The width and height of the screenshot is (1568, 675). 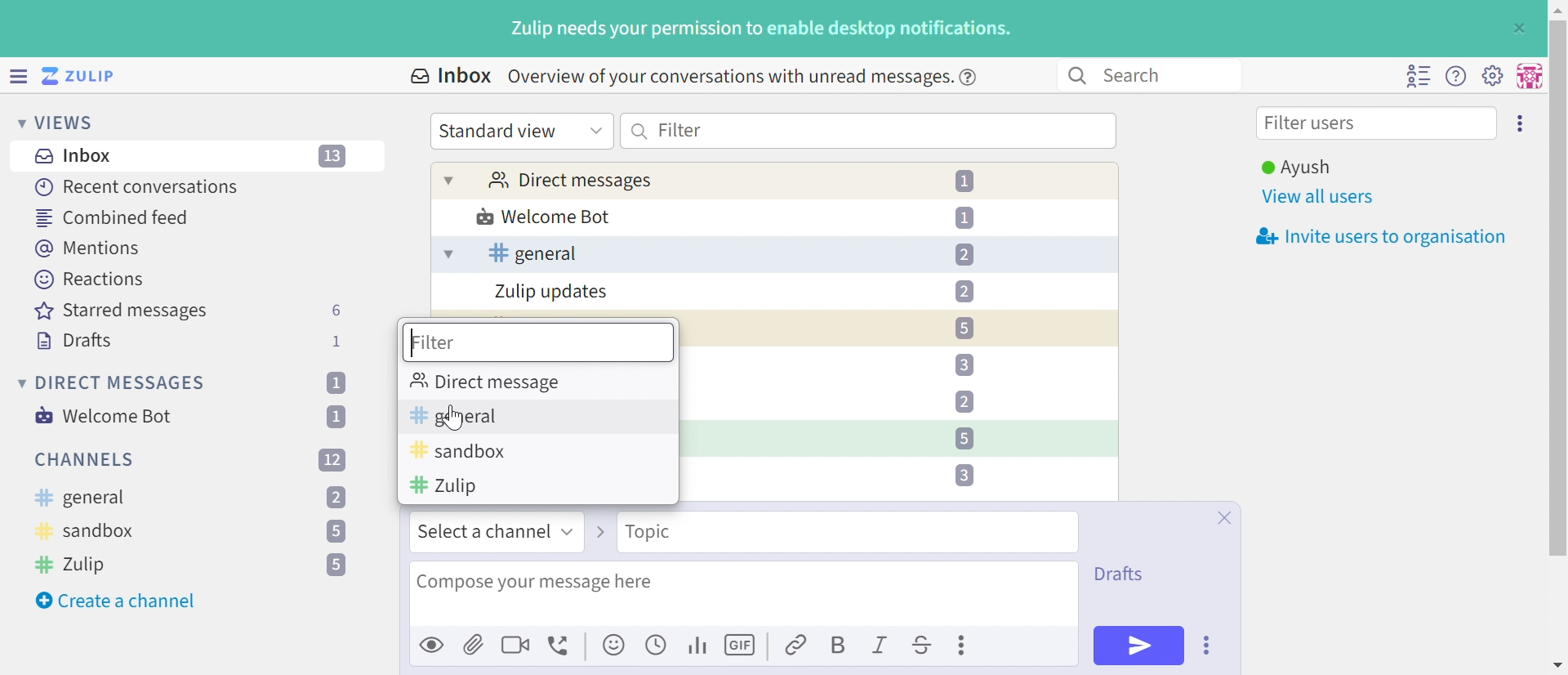 I want to click on Bold, so click(x=837, y=646).